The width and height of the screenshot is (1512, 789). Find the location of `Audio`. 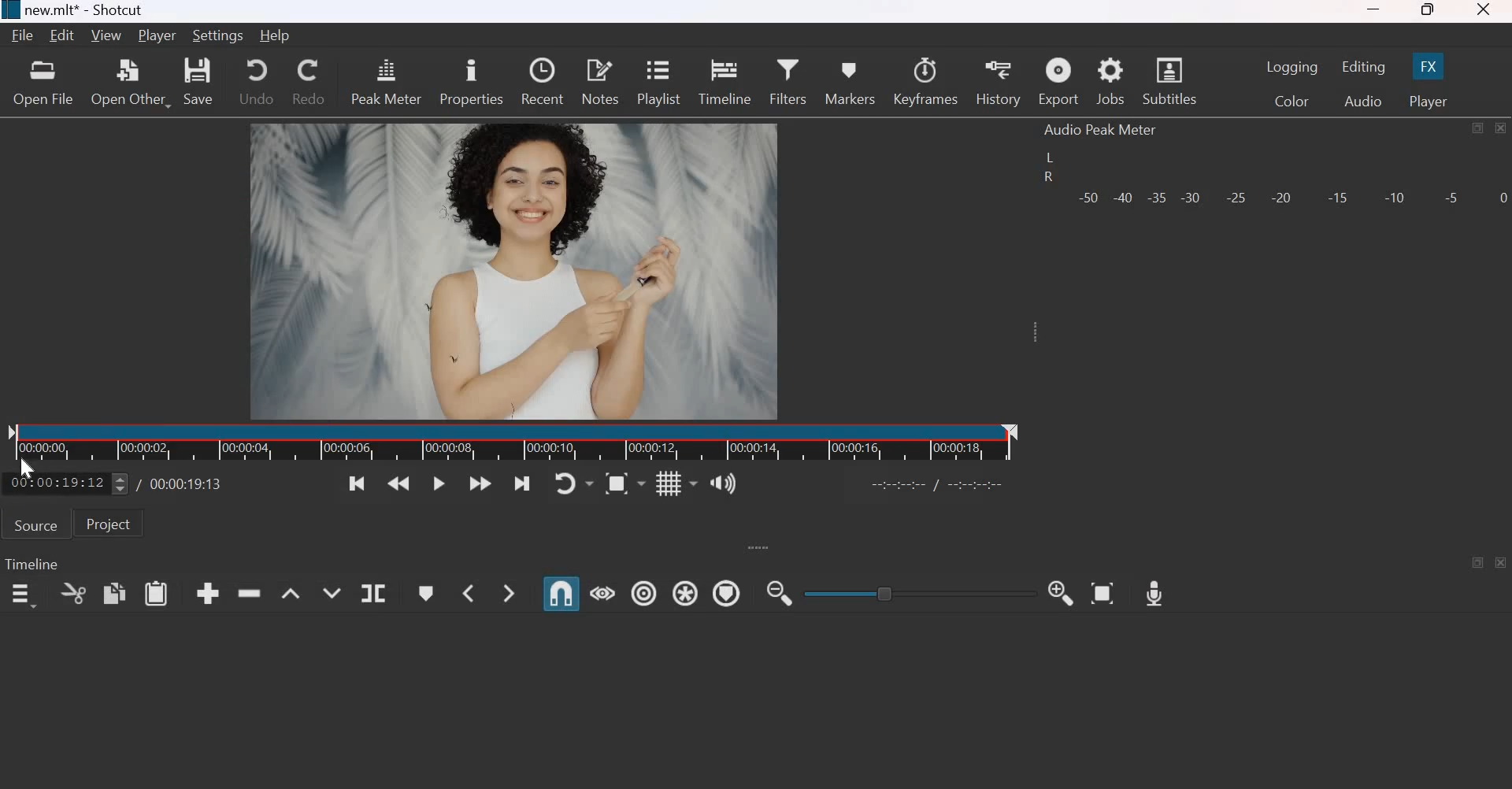

Audio is located at coordinates (1363, 102).